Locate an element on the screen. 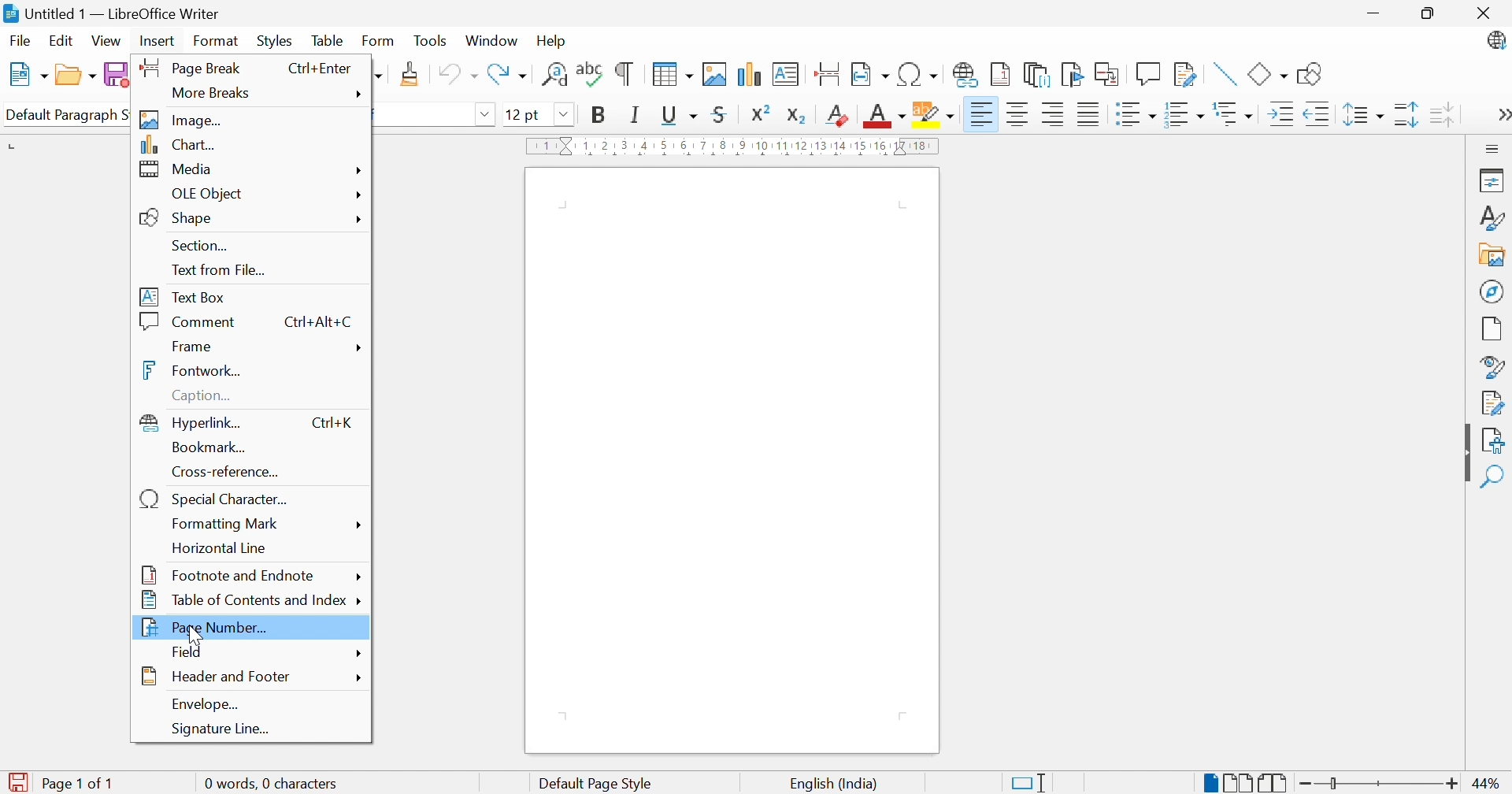 The width and height of the screenshot is (1512, 794). Insert is located at coordinates (156, 42).